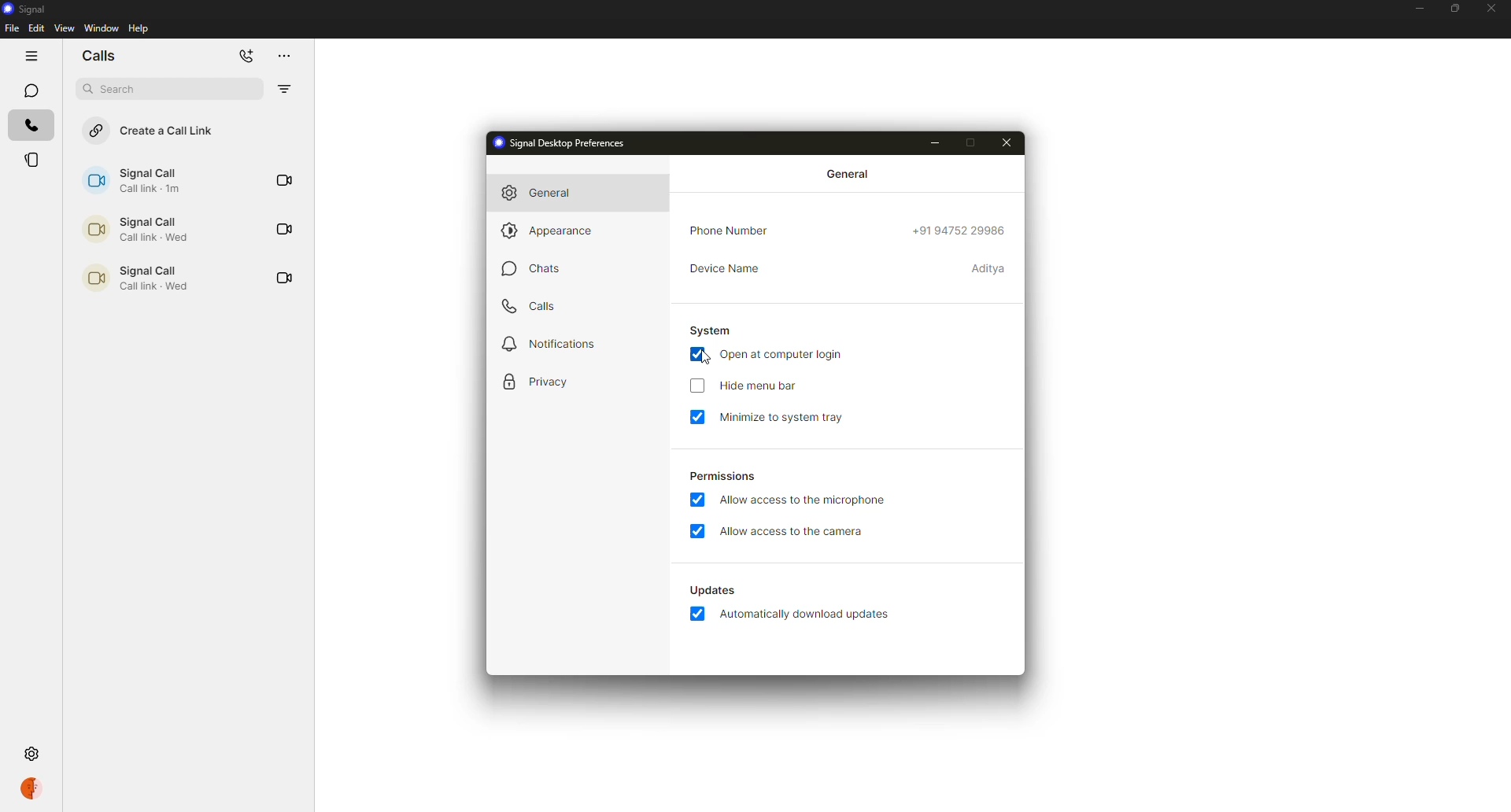 The width and height of the screenshot is (1511, 812). I want to click on chats, so click(29, 90).